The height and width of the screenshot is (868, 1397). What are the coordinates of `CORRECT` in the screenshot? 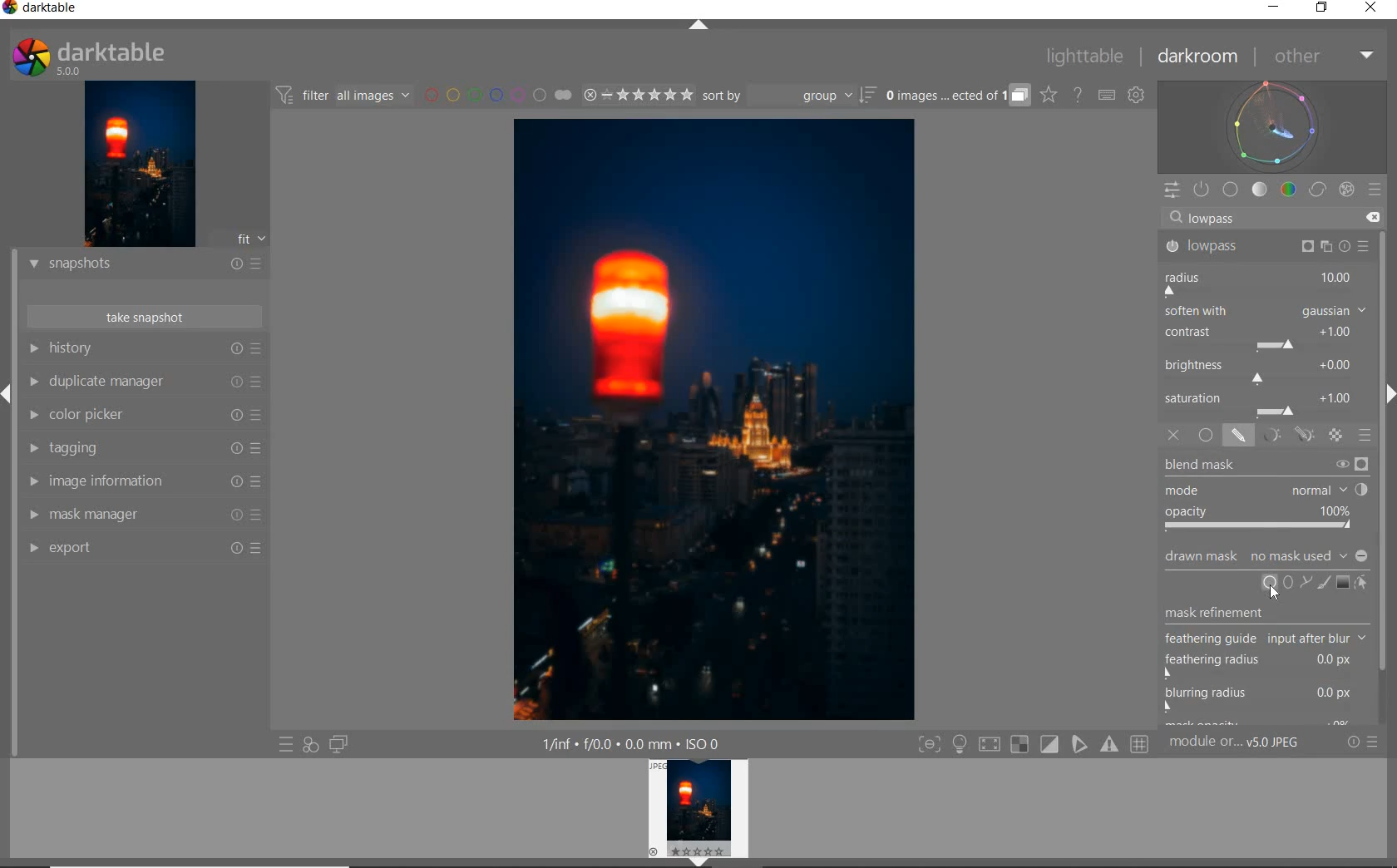 It's located at (1317, 190).